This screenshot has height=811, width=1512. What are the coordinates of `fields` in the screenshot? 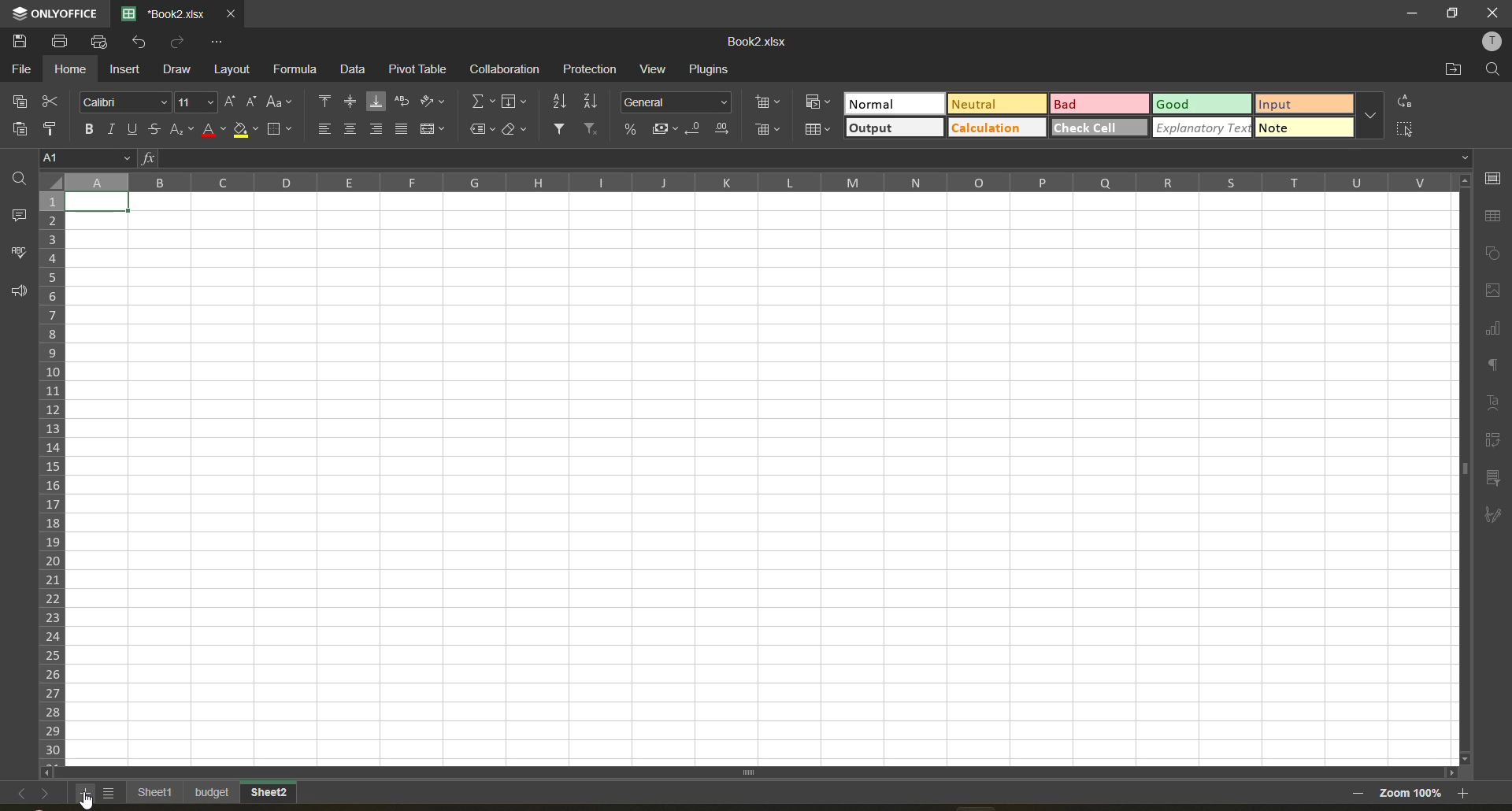 It's located at (515, 104).